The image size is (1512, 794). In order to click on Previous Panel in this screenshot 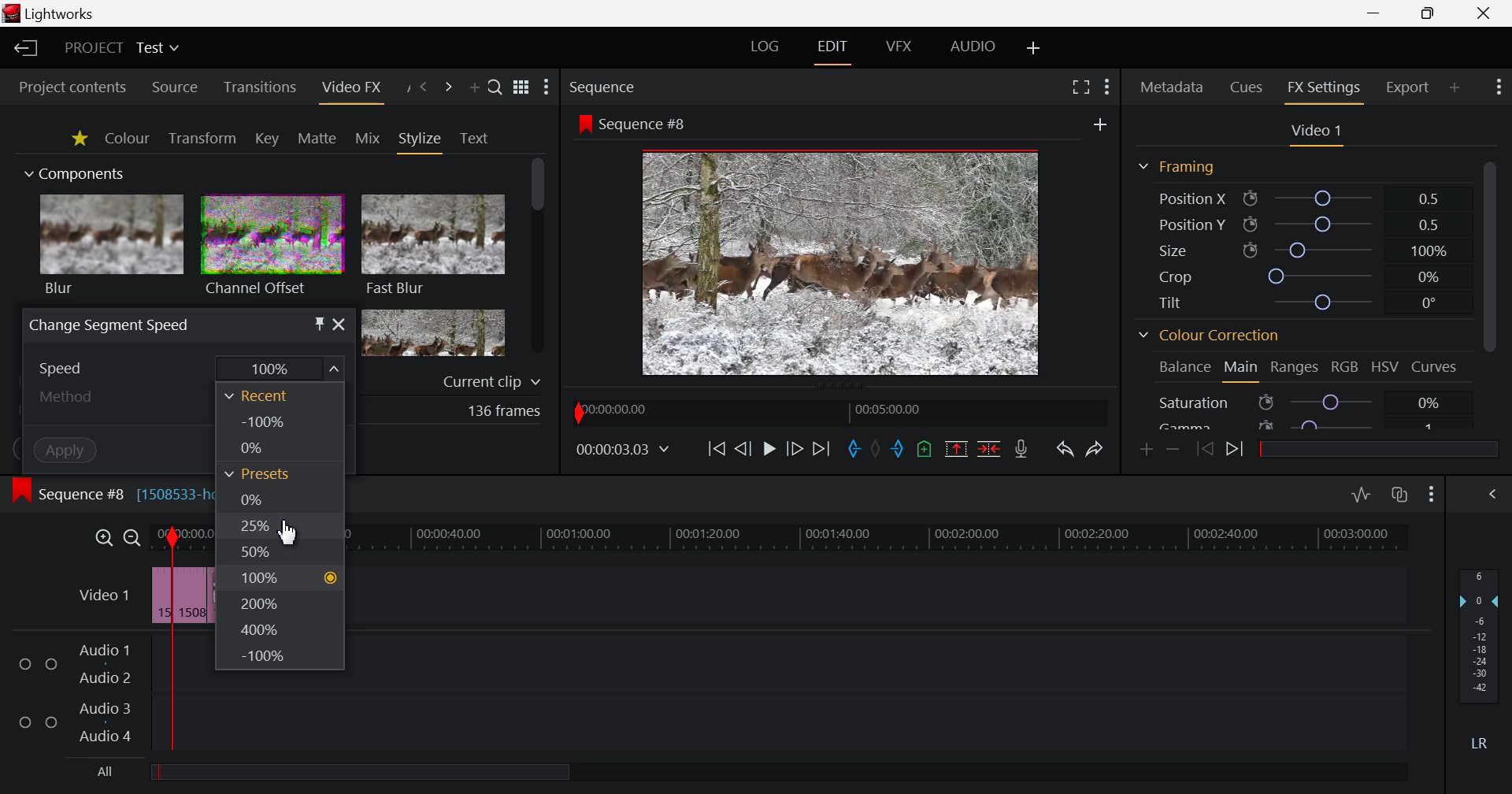, I will do `click(424, 87)`.